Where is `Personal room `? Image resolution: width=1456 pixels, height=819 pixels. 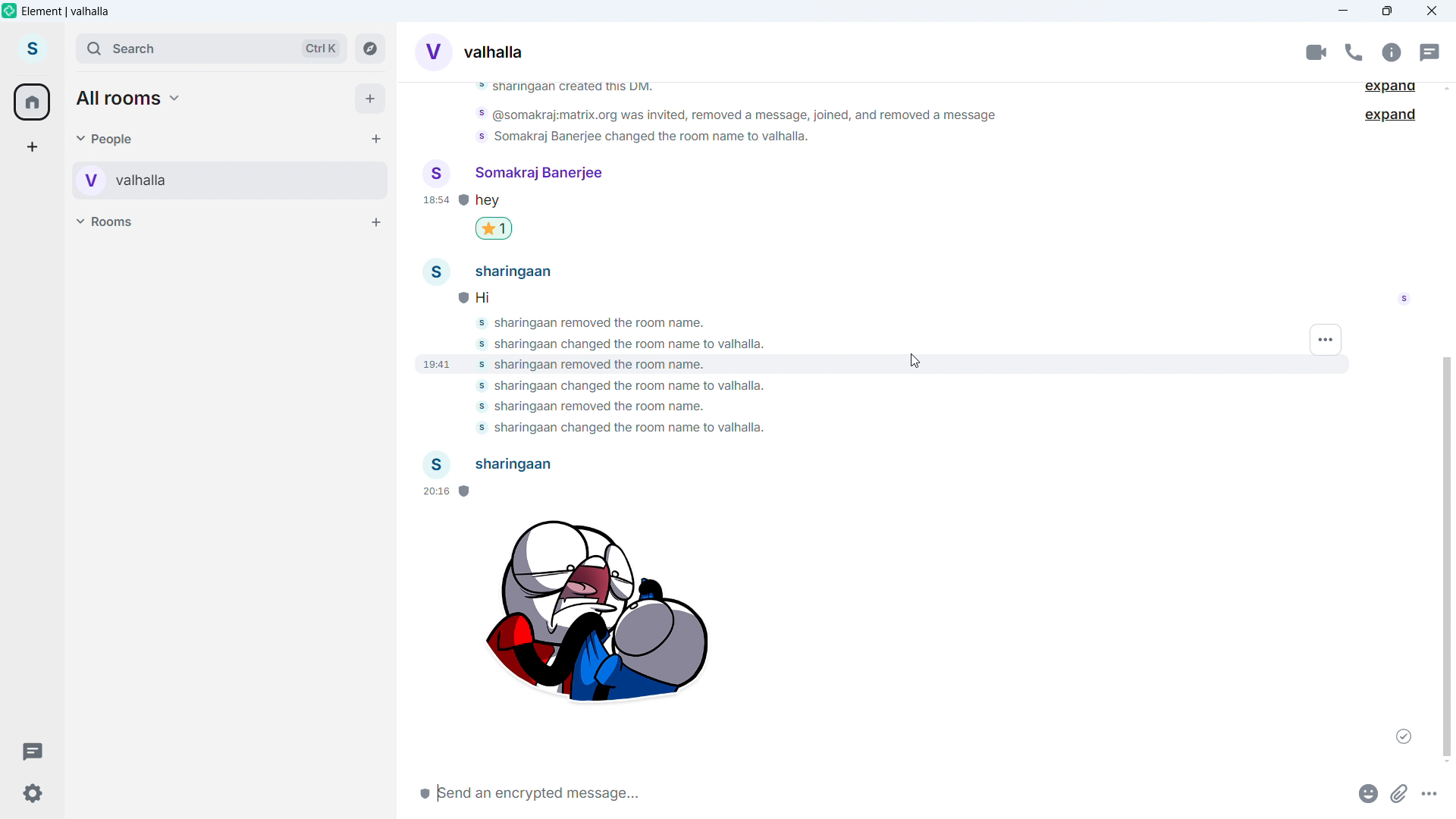
Personal room  is located at coordinates (181, 180).